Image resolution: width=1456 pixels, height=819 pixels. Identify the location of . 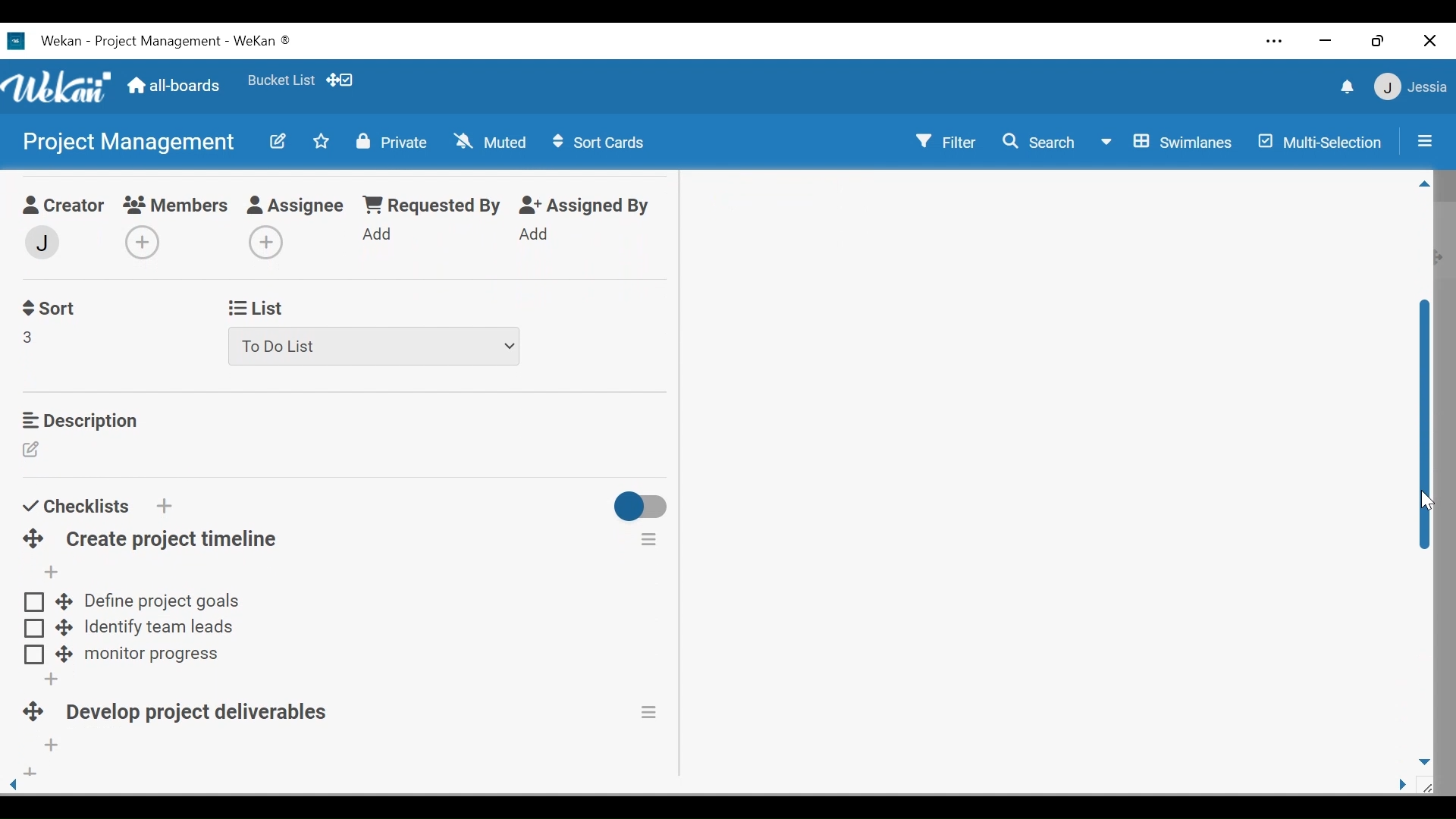
(177, 205).